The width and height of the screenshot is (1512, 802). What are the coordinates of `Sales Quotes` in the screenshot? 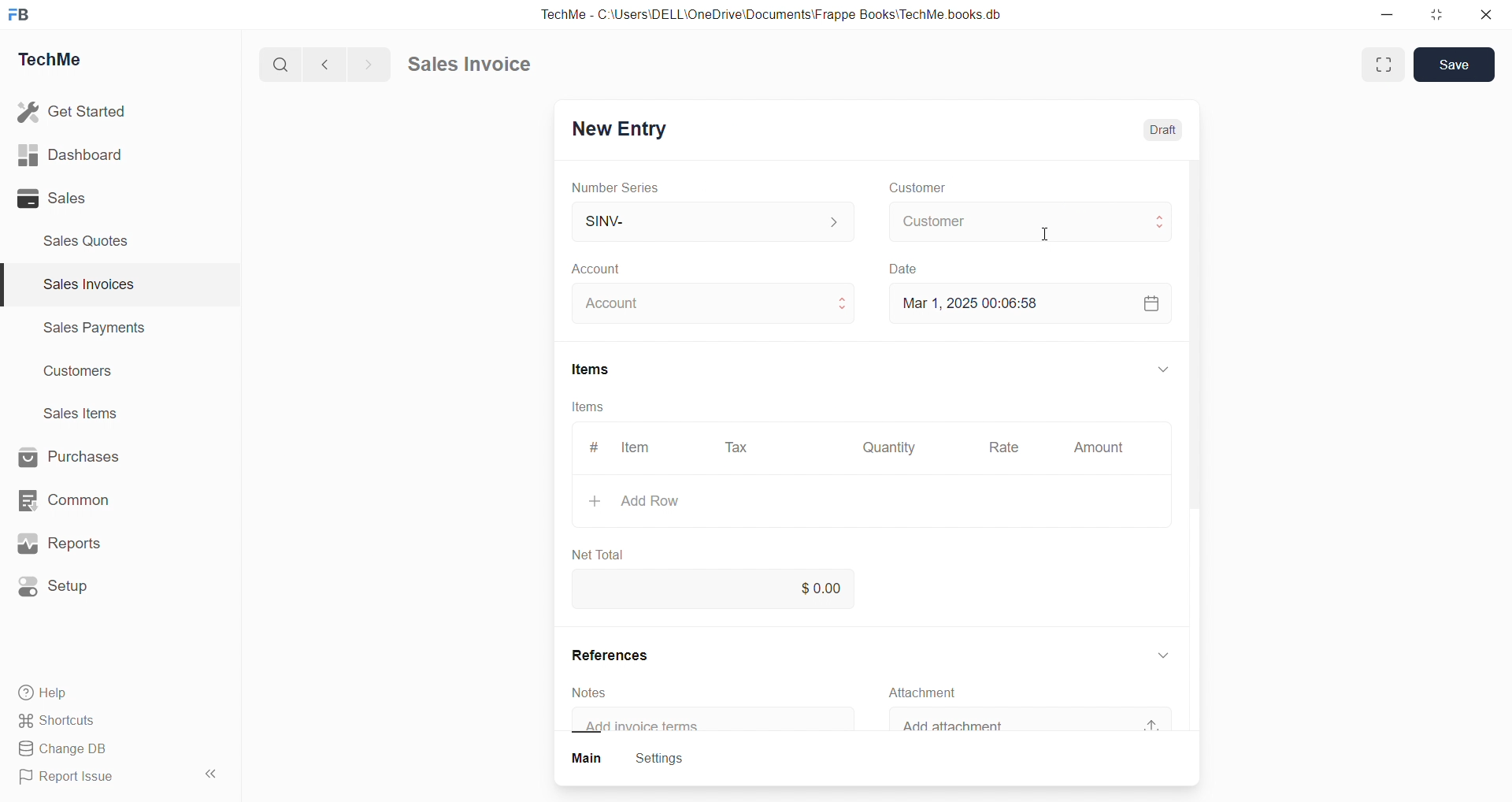 It's located at (92, 240).